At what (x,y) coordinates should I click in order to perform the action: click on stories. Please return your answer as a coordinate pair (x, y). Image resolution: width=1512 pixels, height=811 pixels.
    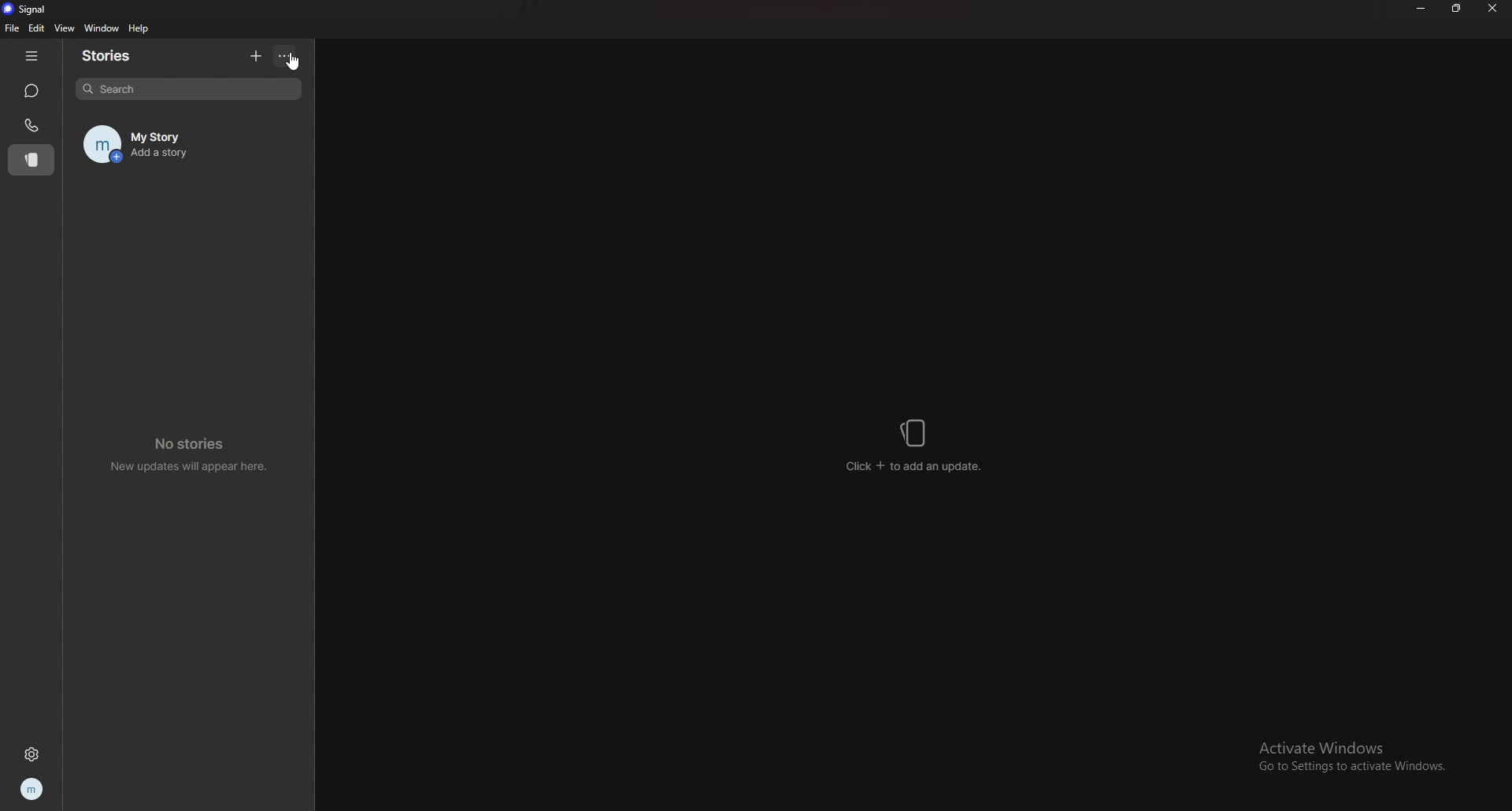
    Looking at the image, I should click on (33, 160).